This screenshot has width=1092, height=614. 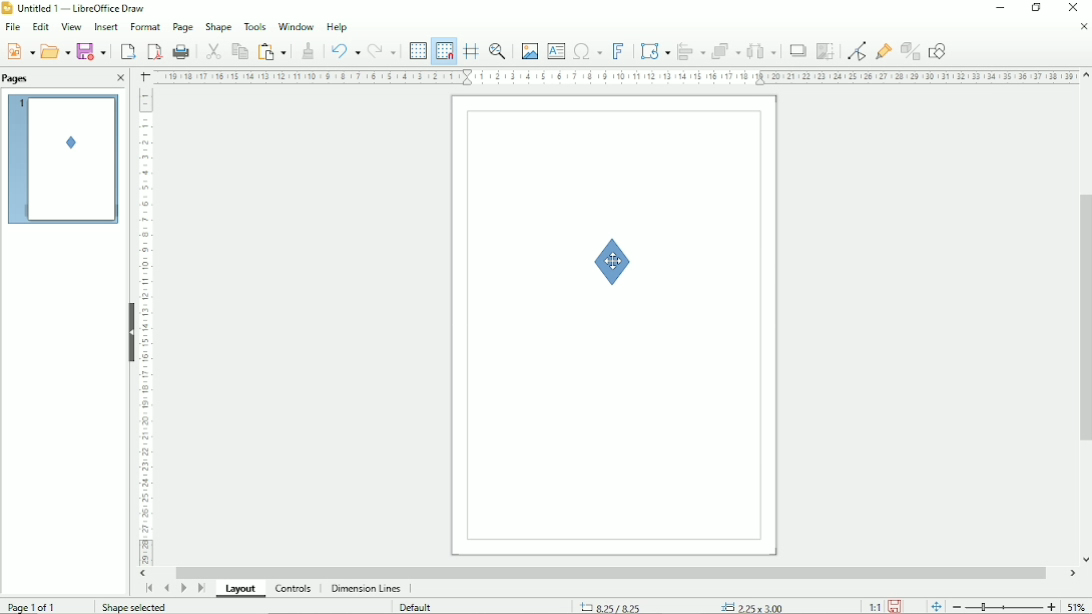 What do you see at coordinates (874, 606) in the screenshot?
I see `Scaling factor` at bounding box center [874, 606].